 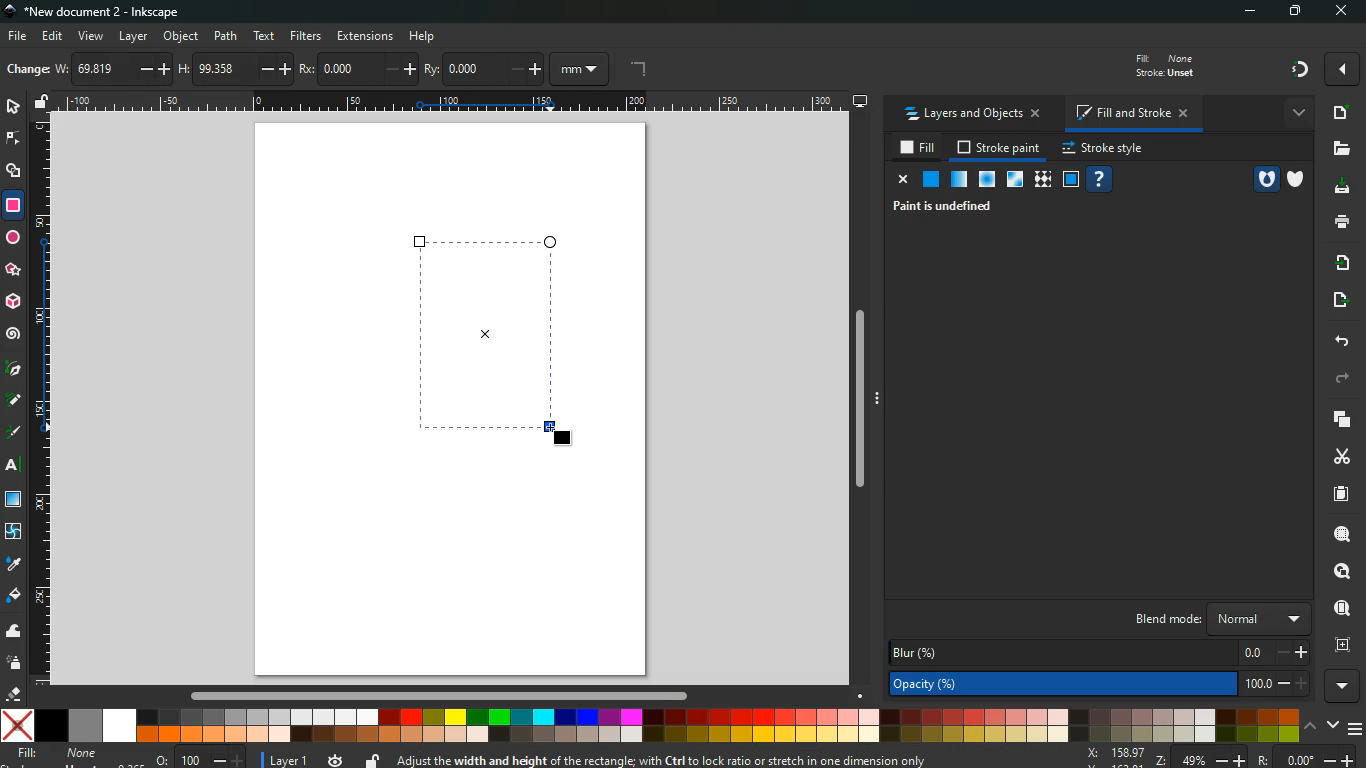 What do you see at coordinates (14, 598) in the screenshot?
I see `fill` at bounding box center [14, 598].